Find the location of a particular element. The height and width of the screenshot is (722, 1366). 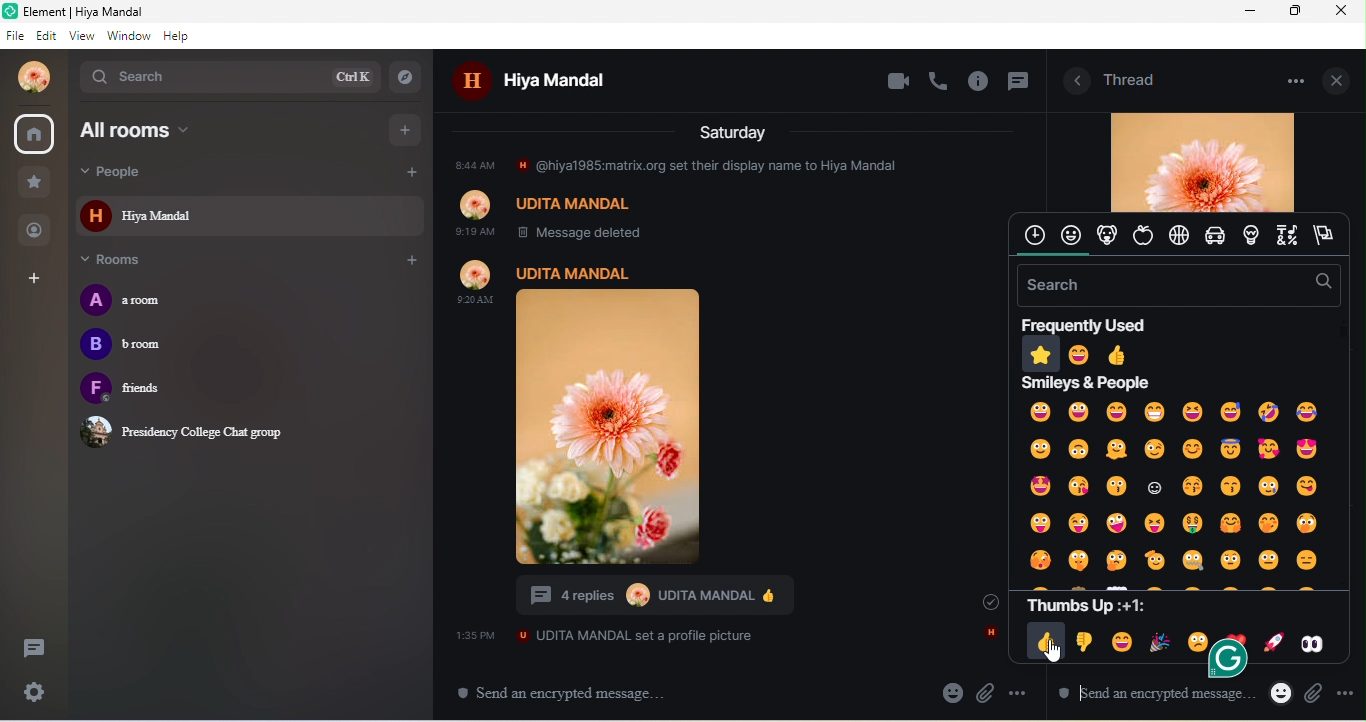

rooms is located at coordinates (123, 261).